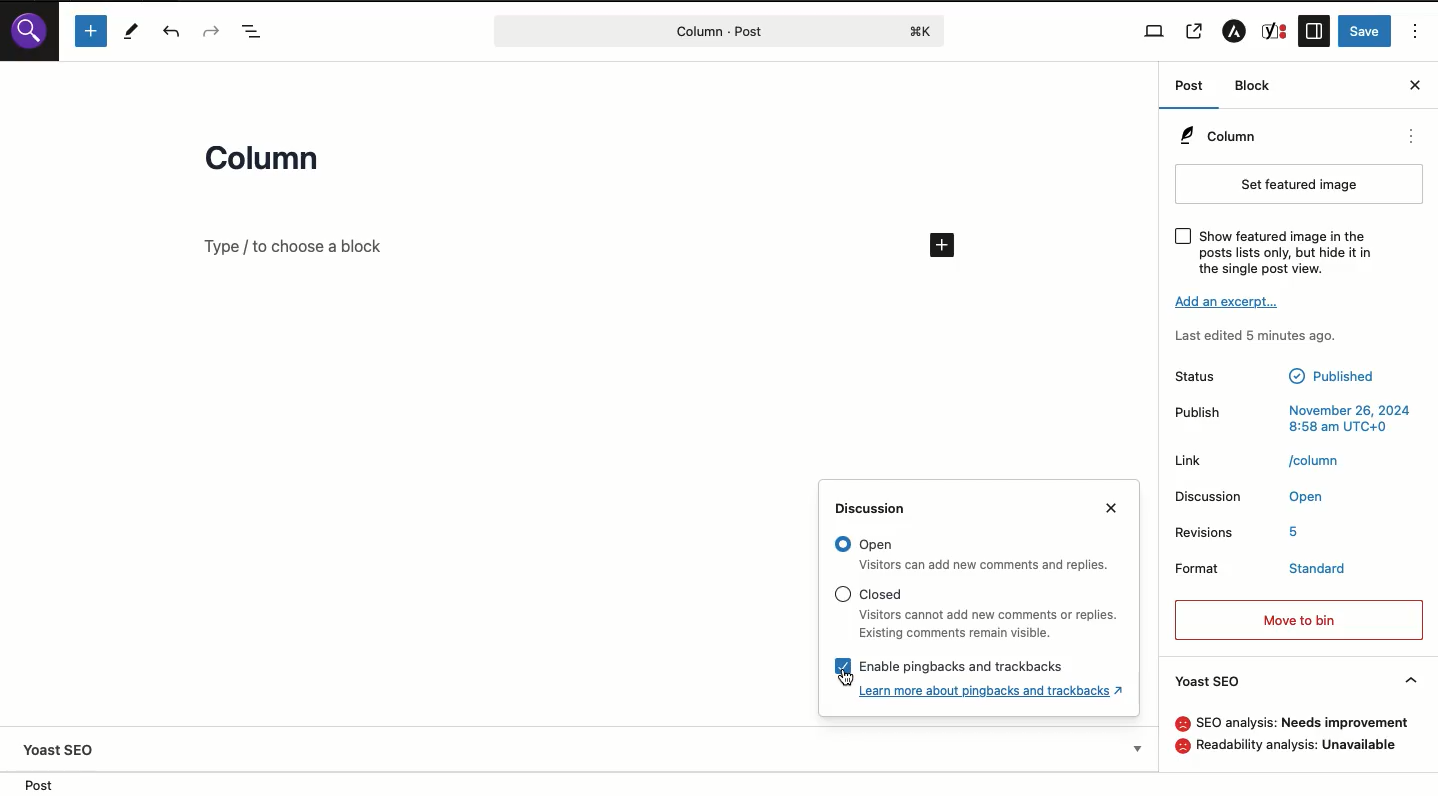 This screenshot has width=1438, height=796. I want to click on text, so click(1316, 459).